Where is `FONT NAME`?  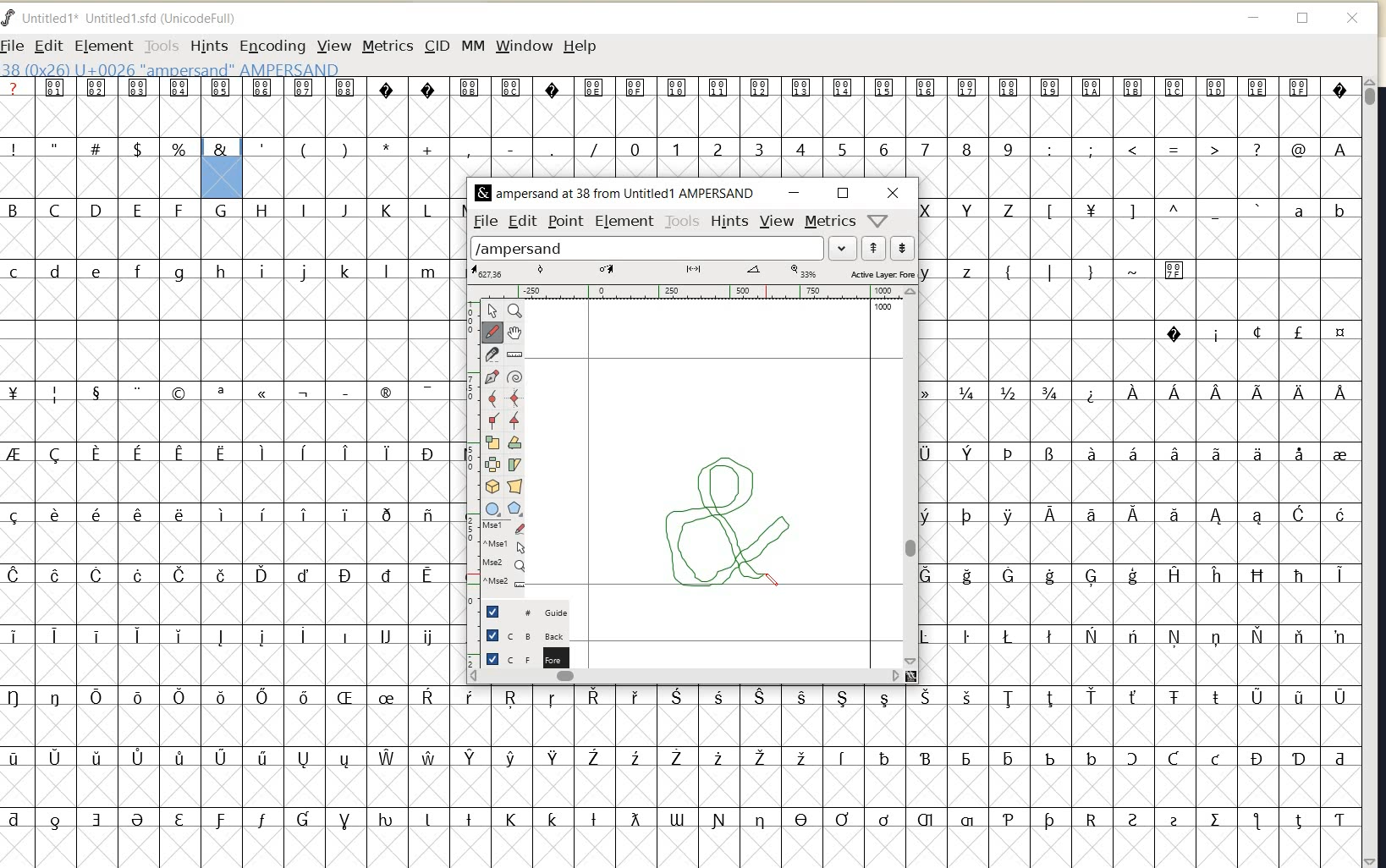
FONT NAME is located at coordinates (128, 18).